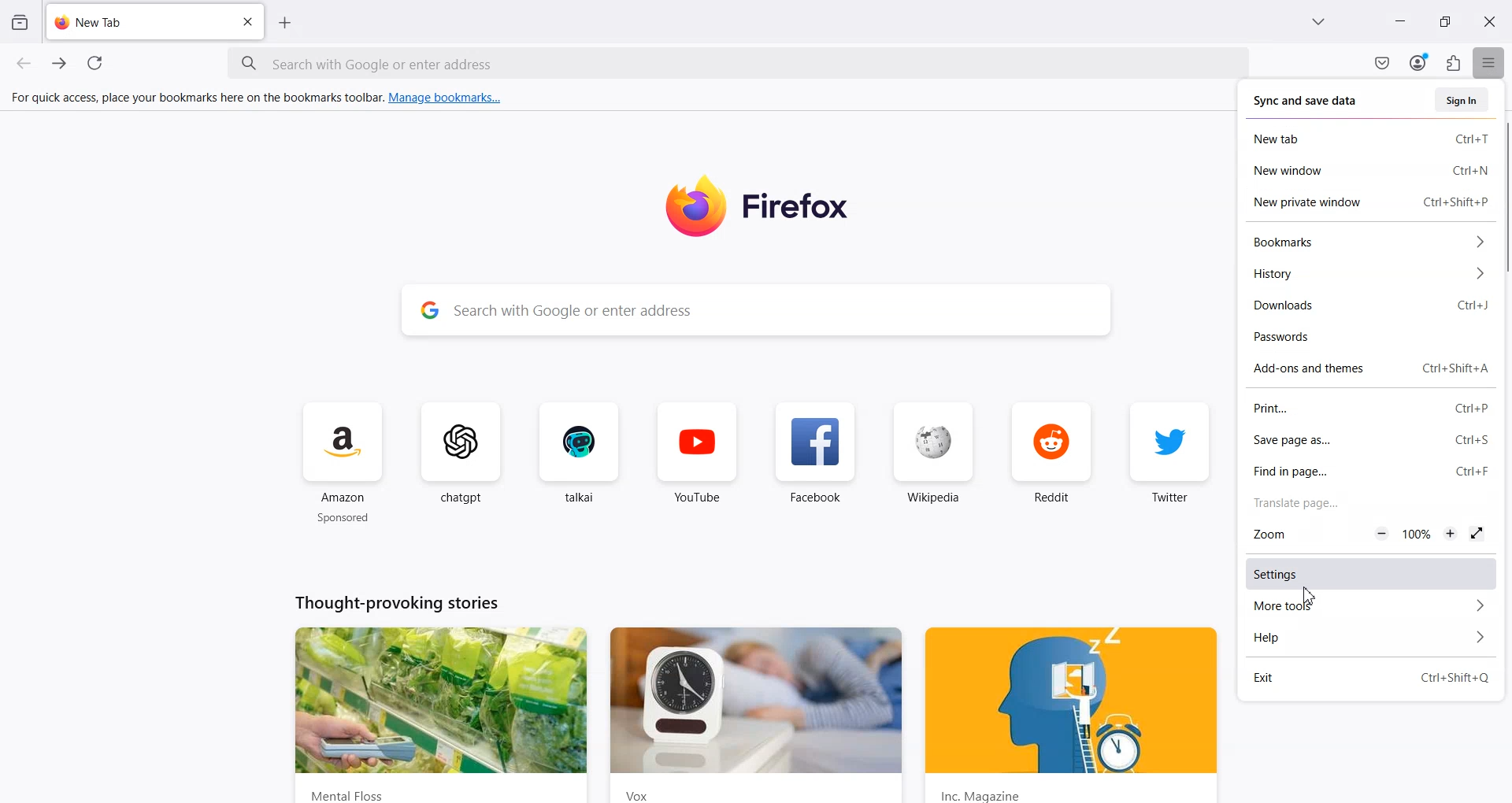 The image size is (1512, 803). Describe the element at coordinates (1451, 533) in the screenshot. I see `Zoom In` at that location.